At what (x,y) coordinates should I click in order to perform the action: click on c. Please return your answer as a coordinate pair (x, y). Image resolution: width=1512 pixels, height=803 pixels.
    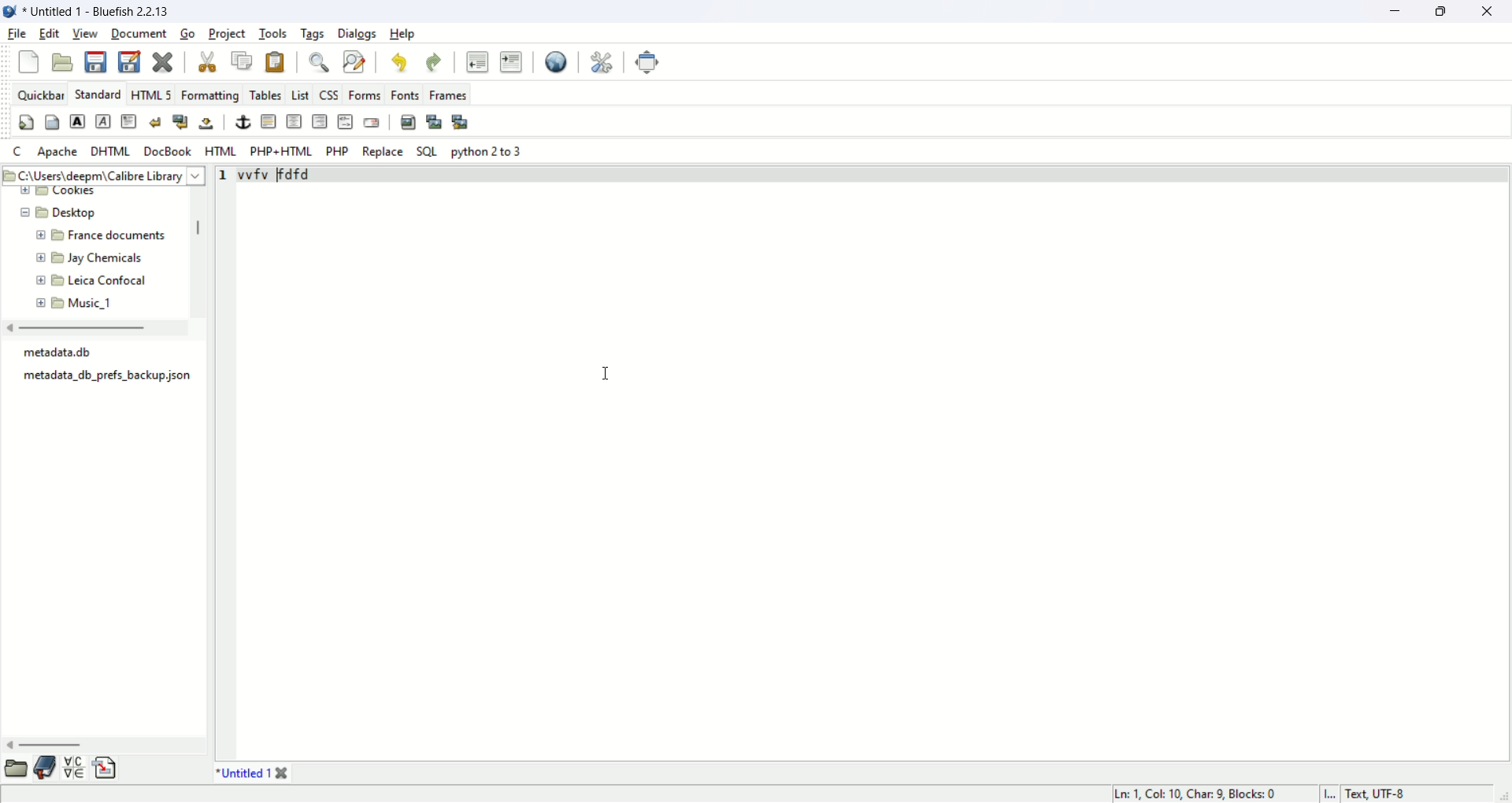
    Looking at the image, I should click on (18, 150).